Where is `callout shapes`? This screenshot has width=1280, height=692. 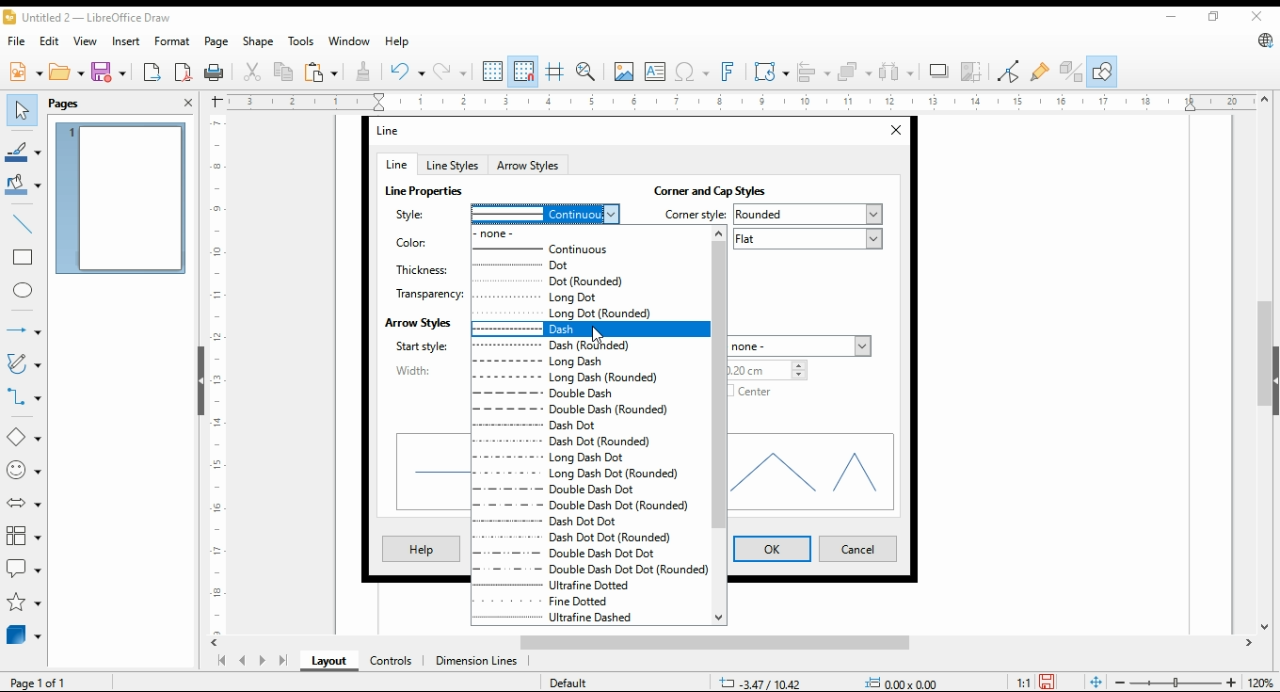 callout shapes is located at coordinates (24, 566).